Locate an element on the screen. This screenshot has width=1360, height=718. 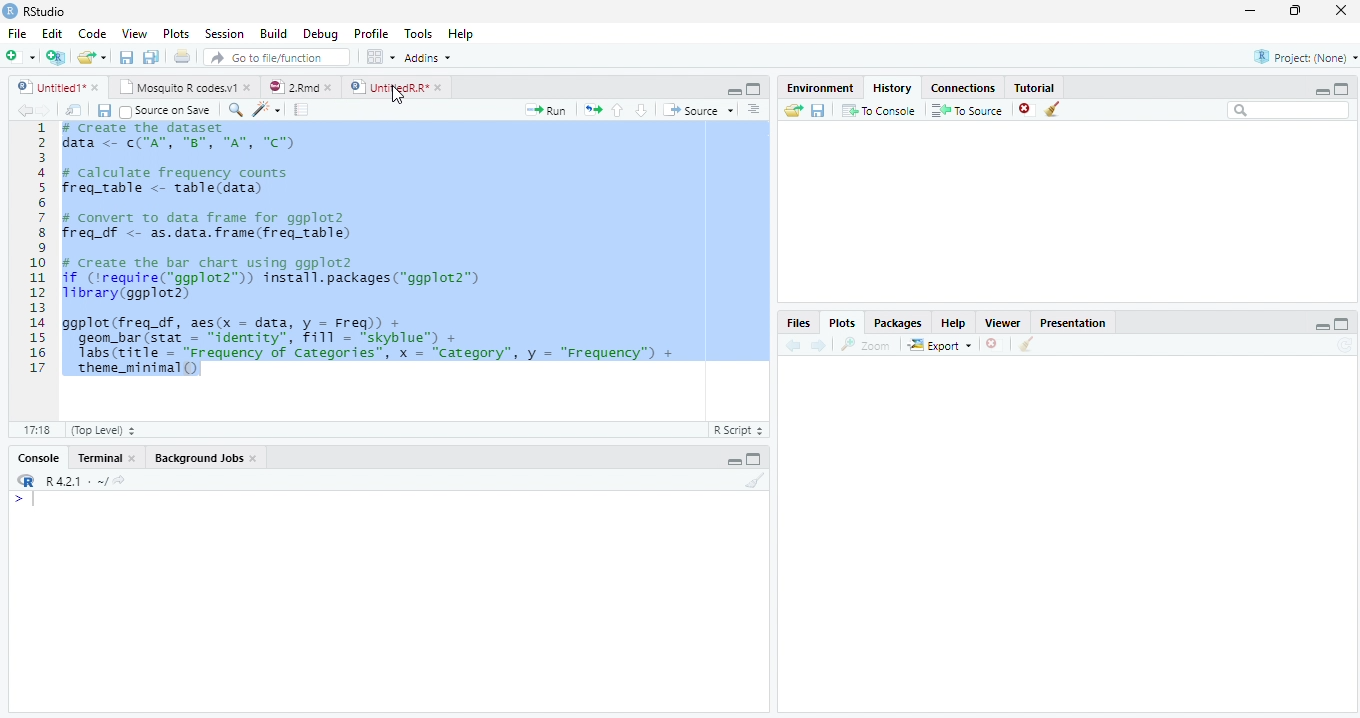
Zoom is located at coordinates (867, 347).